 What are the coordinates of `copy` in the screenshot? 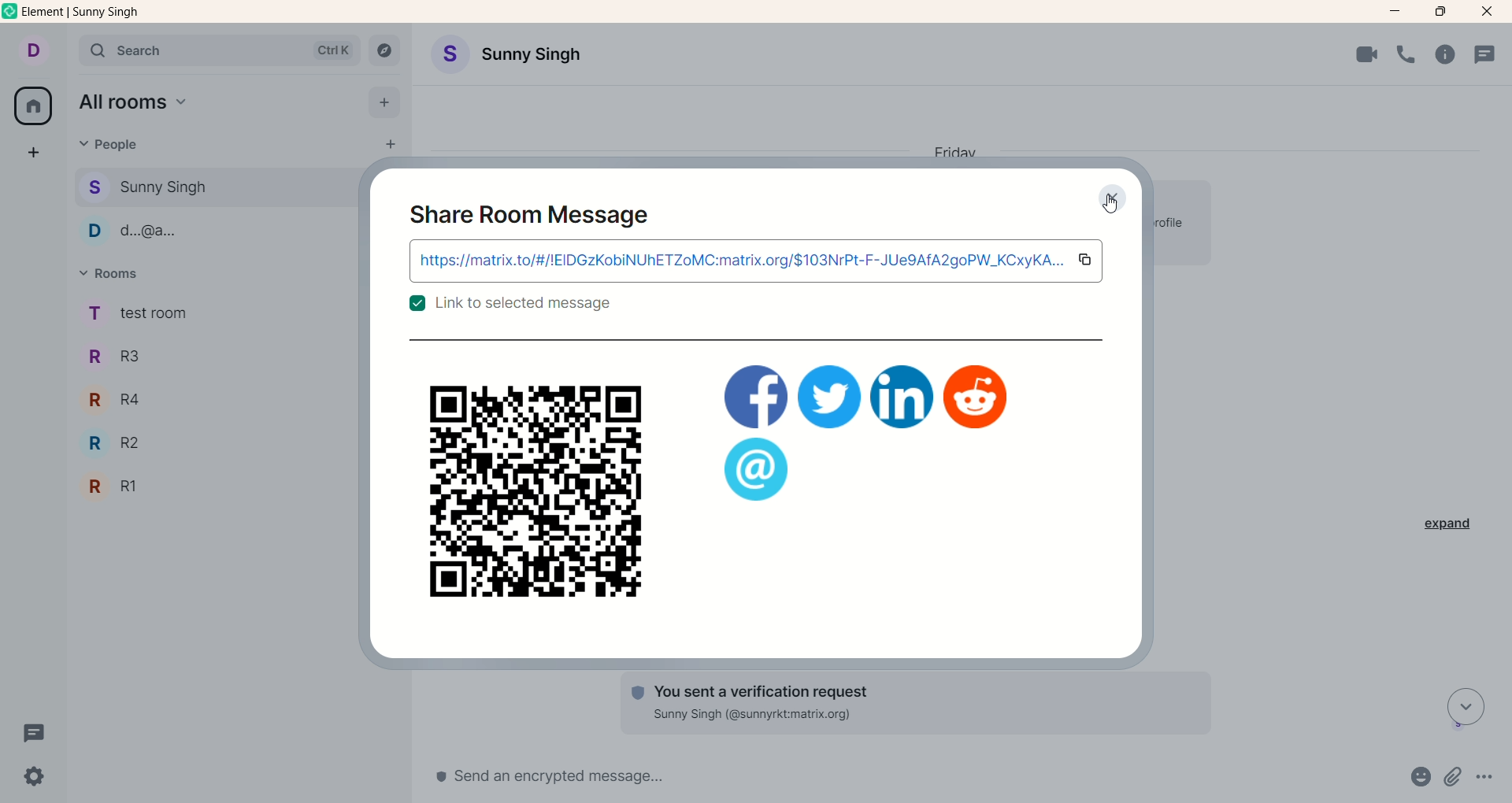 It's located at (1089, 260).